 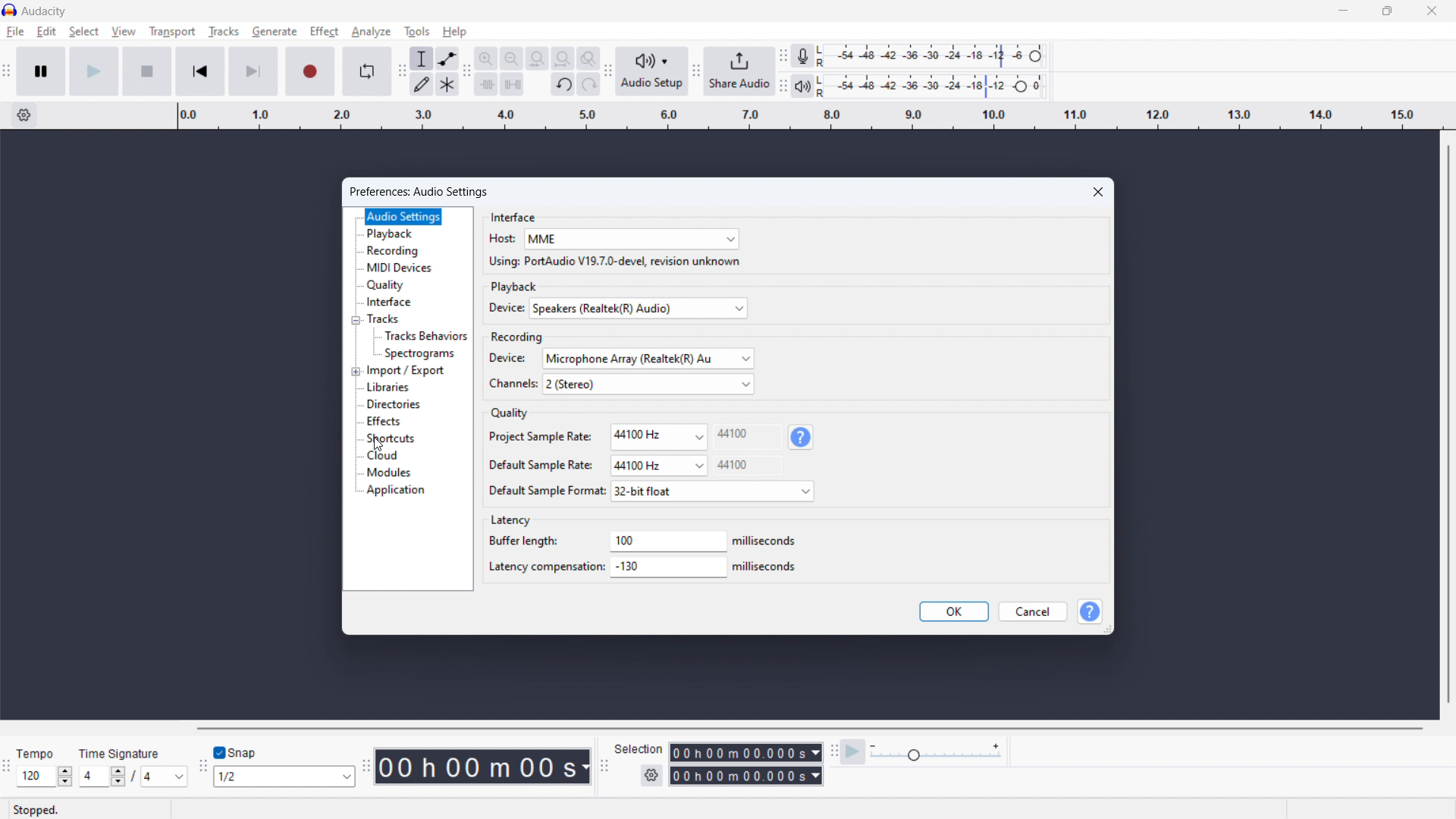 What do you see at coordinates (816, 752) in the screenshot?
I see `Duration measurement` at bounding box center [816, 752].